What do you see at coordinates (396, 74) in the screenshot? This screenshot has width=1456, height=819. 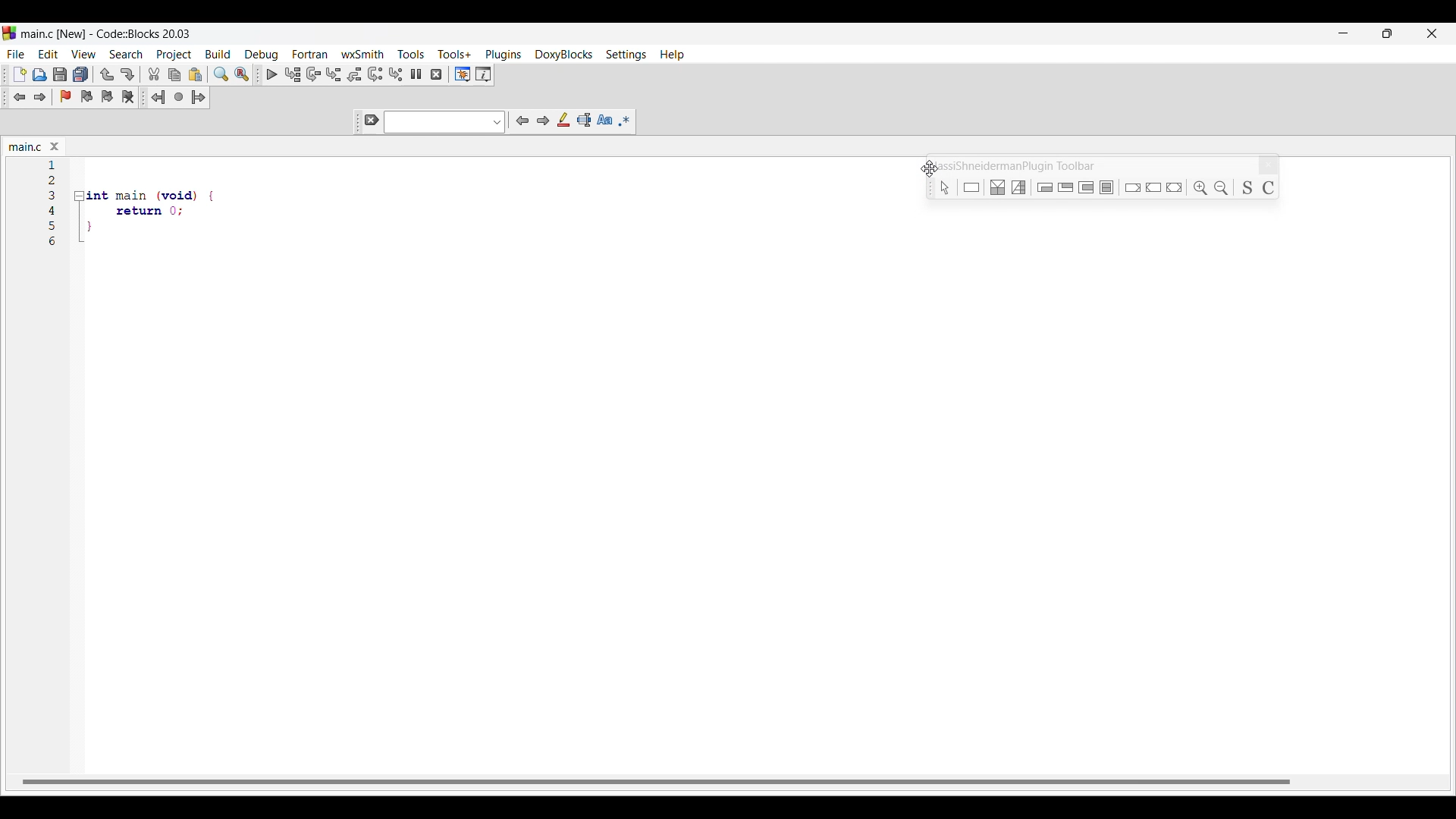 I see `Step into instruction` at bounding box center [396, 74].